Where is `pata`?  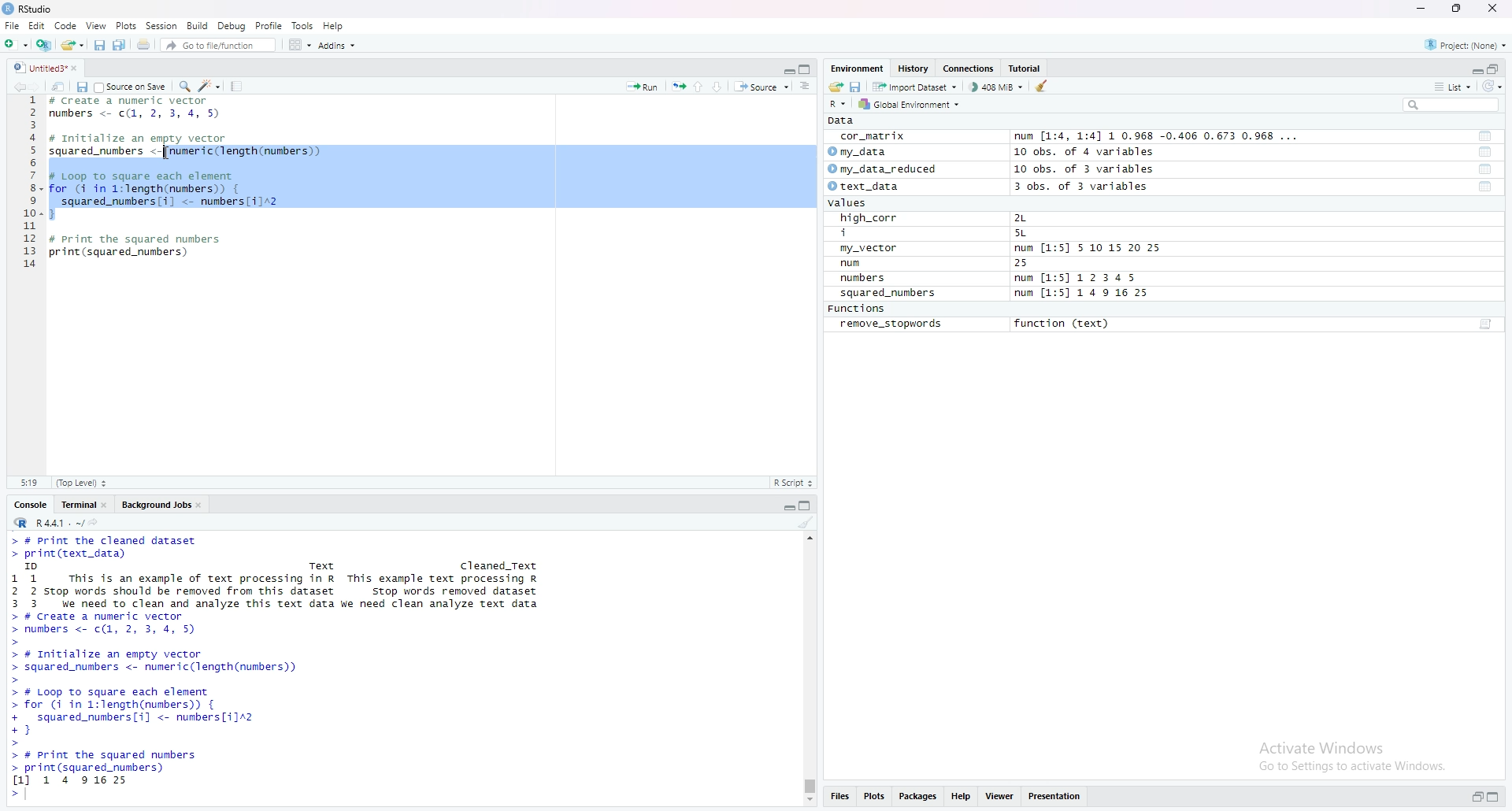
pata is located at coordinates (845, 120).